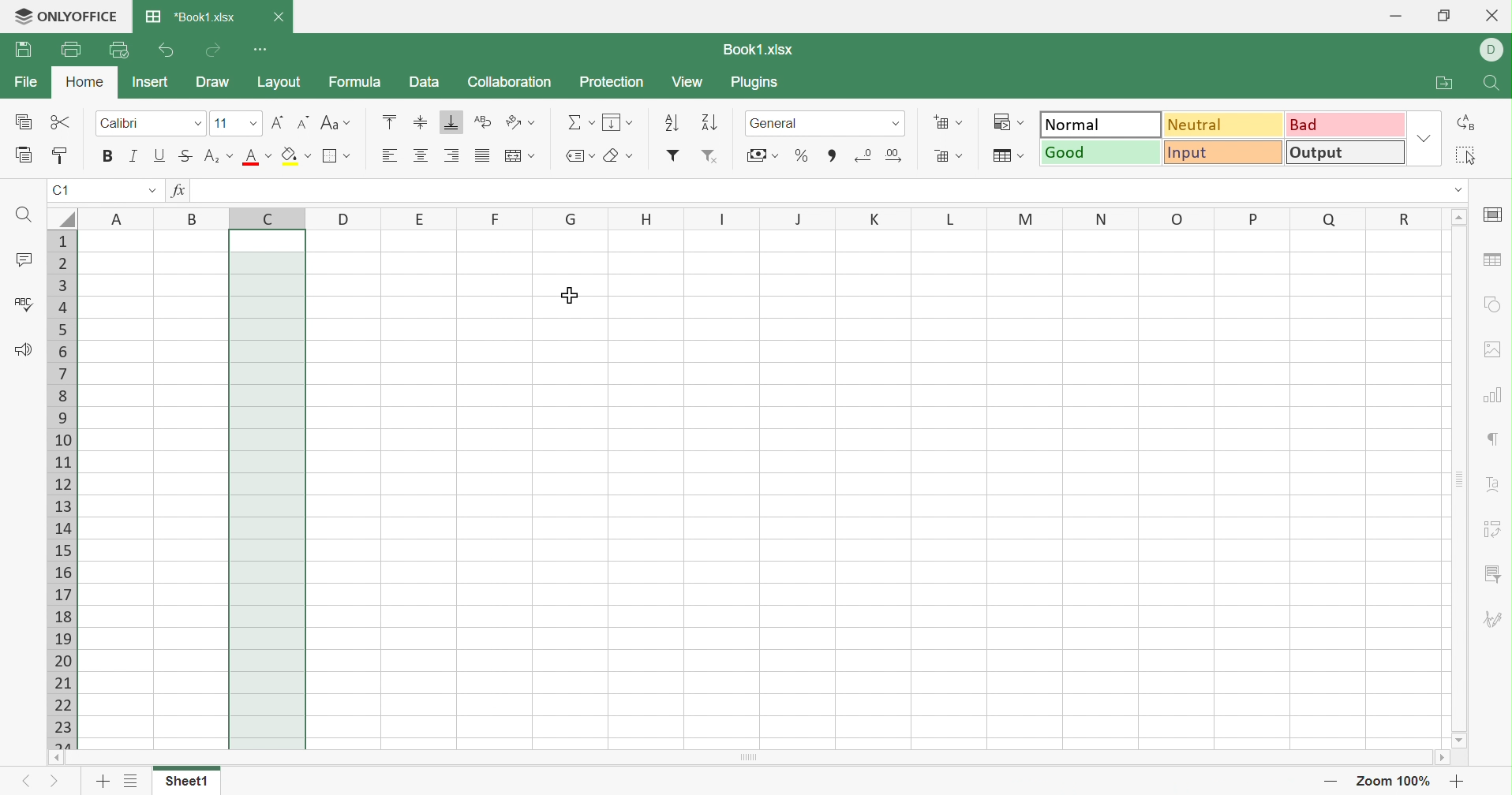 Image resolution: width=1512 pixels, height=795 pixels. What do you see at coordinates (358, 84) in the screenshot?
I see `Formula` at bounding box center [358, 84].